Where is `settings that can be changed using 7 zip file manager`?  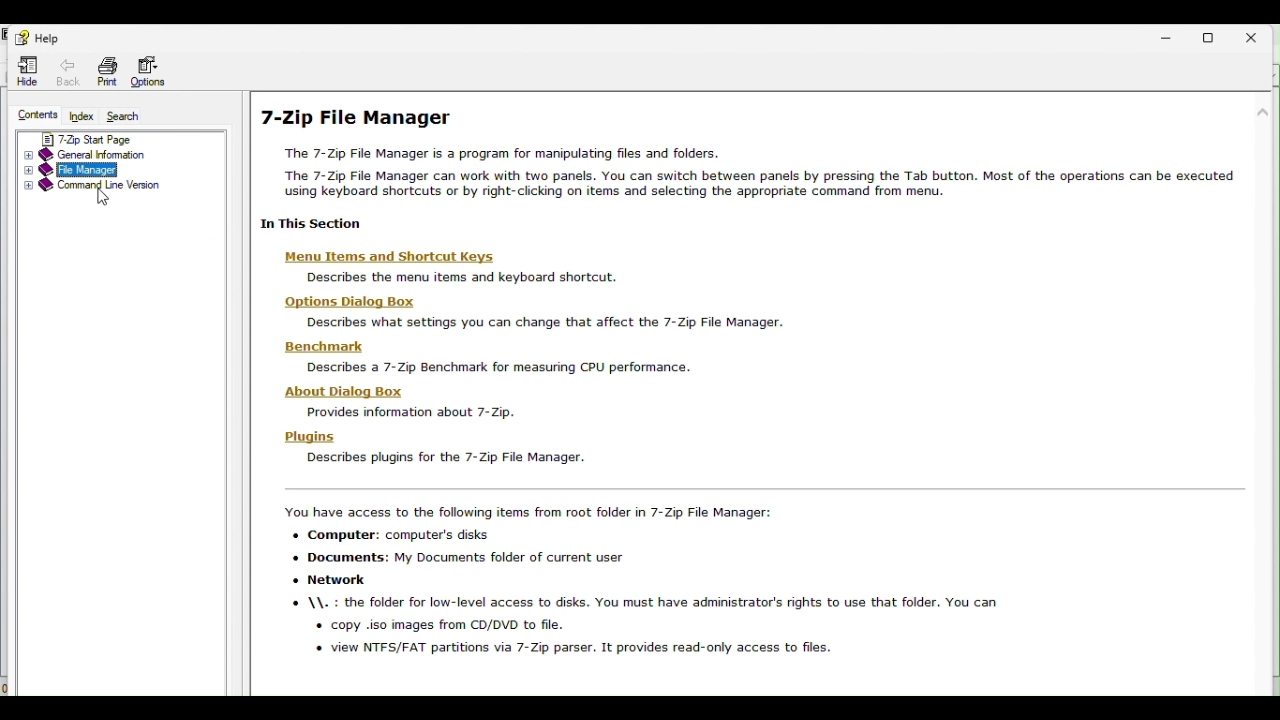 settings that can be changed using 7 zip file manager is located at coordinates (547, 322).